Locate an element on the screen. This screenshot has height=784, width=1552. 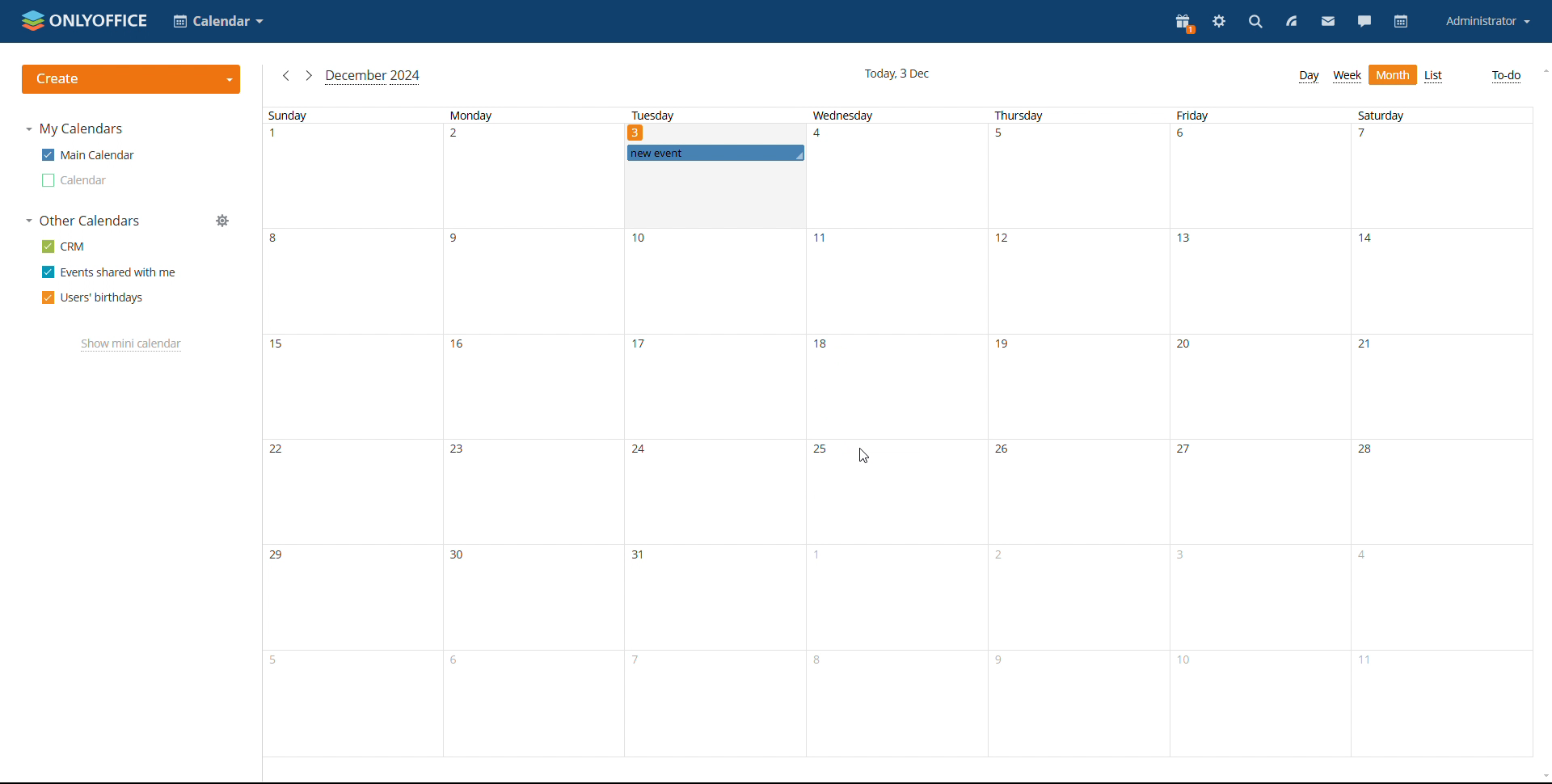
account is located at coordinates (1489, 22).